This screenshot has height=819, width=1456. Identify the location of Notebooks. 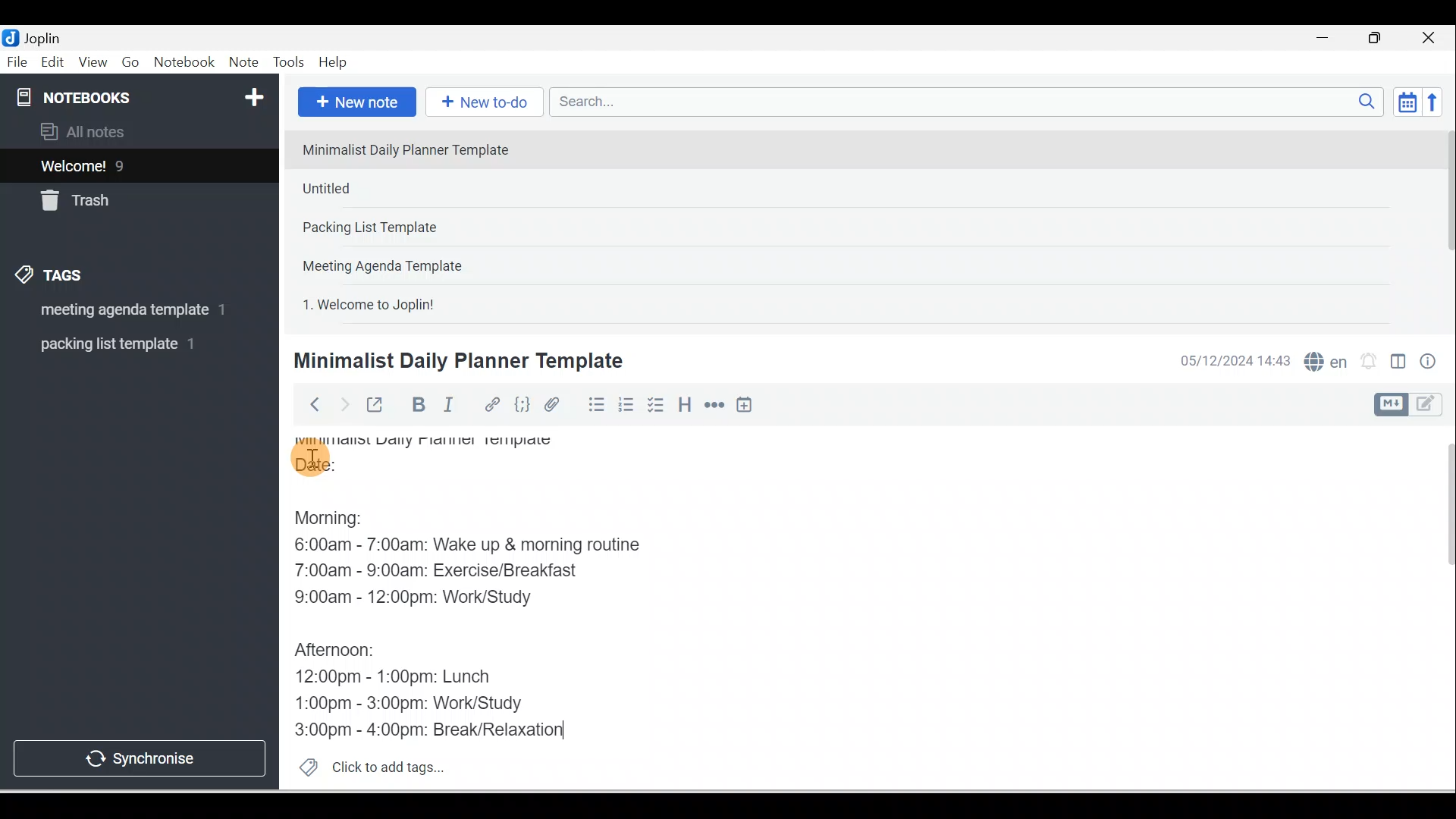
(143, 94).